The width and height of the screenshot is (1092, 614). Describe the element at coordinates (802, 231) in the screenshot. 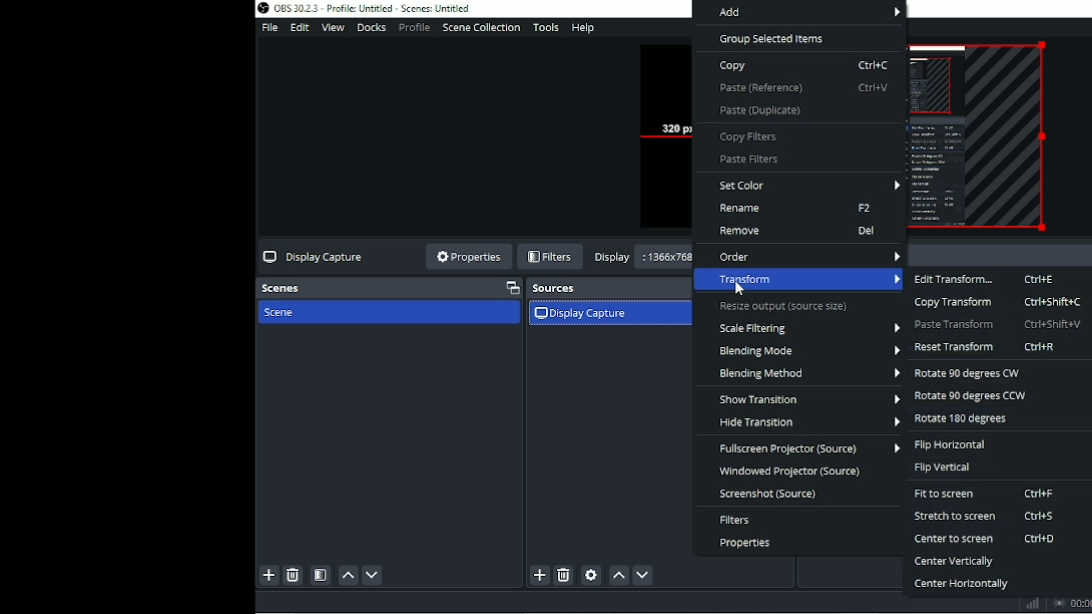

I see `Remove` at that location.